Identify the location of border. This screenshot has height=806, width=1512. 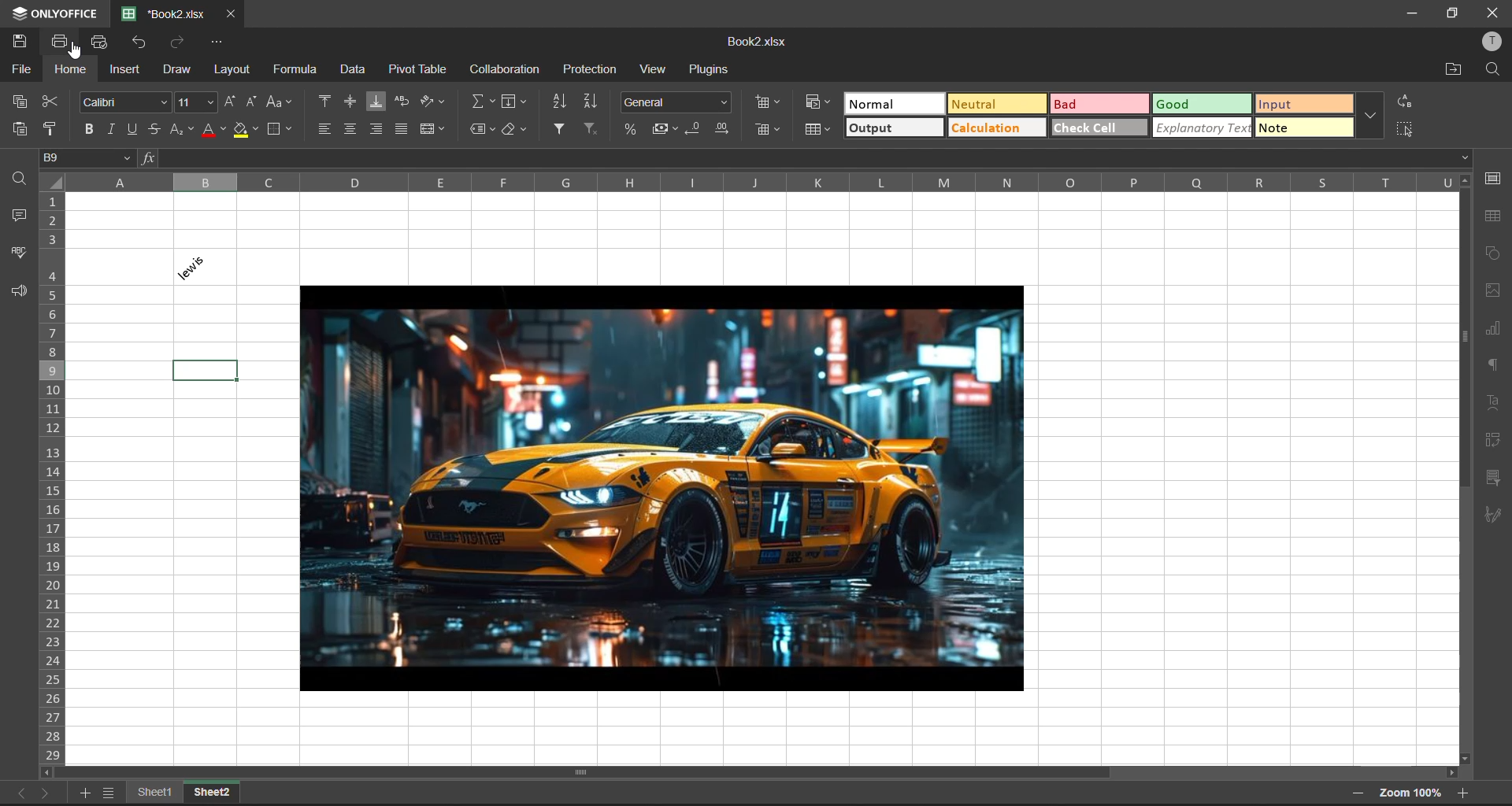
(280, 131).